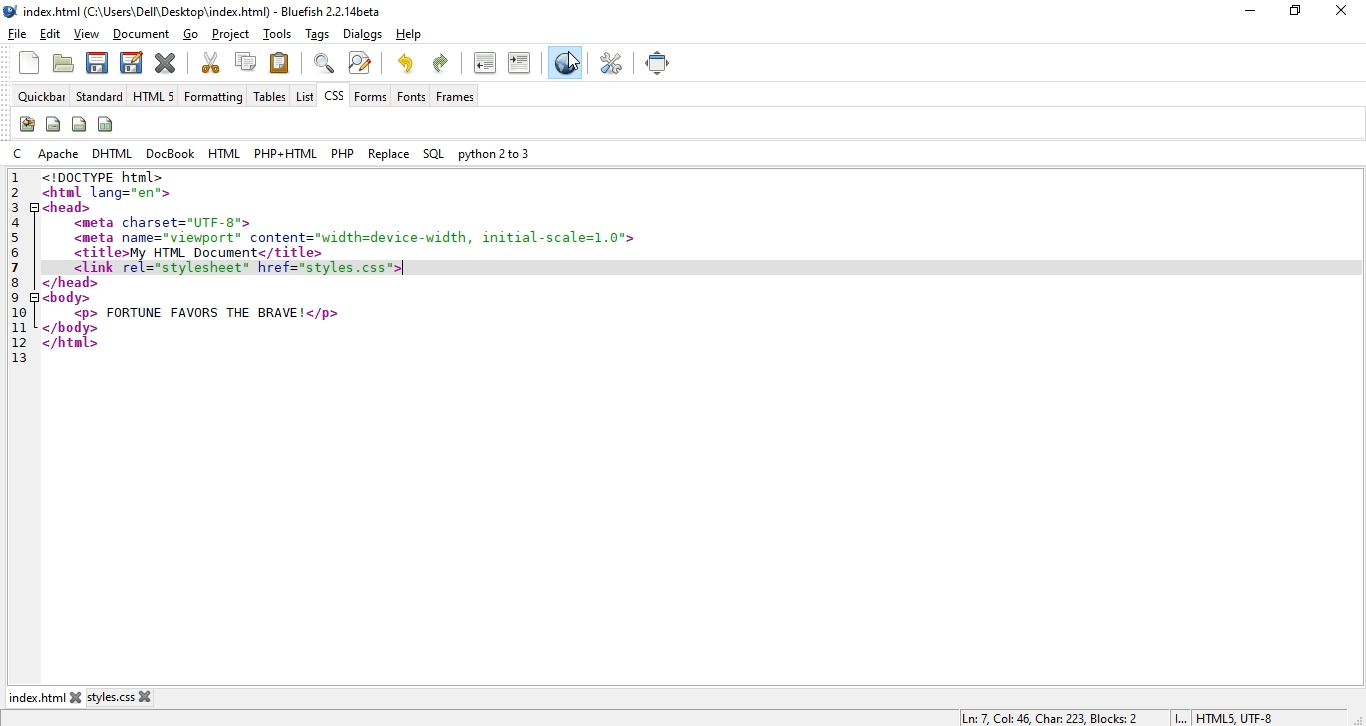  What do you see at coordinates (565, 65) in the screenshot?
I see `preview in browser` at bounding box center [565, 65].